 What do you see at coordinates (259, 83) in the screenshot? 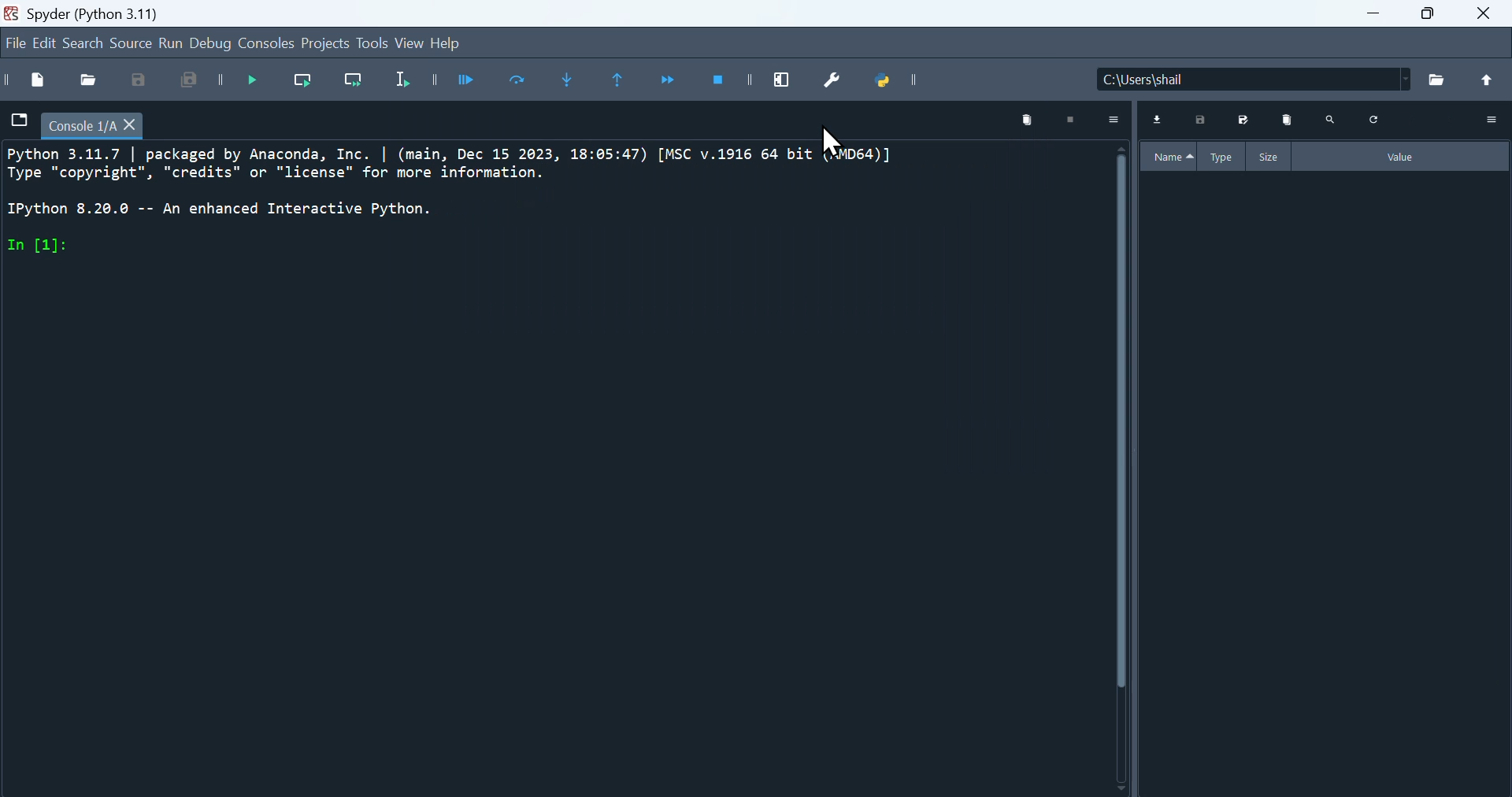
I see `Debug file` at bounding box center [259, 83].